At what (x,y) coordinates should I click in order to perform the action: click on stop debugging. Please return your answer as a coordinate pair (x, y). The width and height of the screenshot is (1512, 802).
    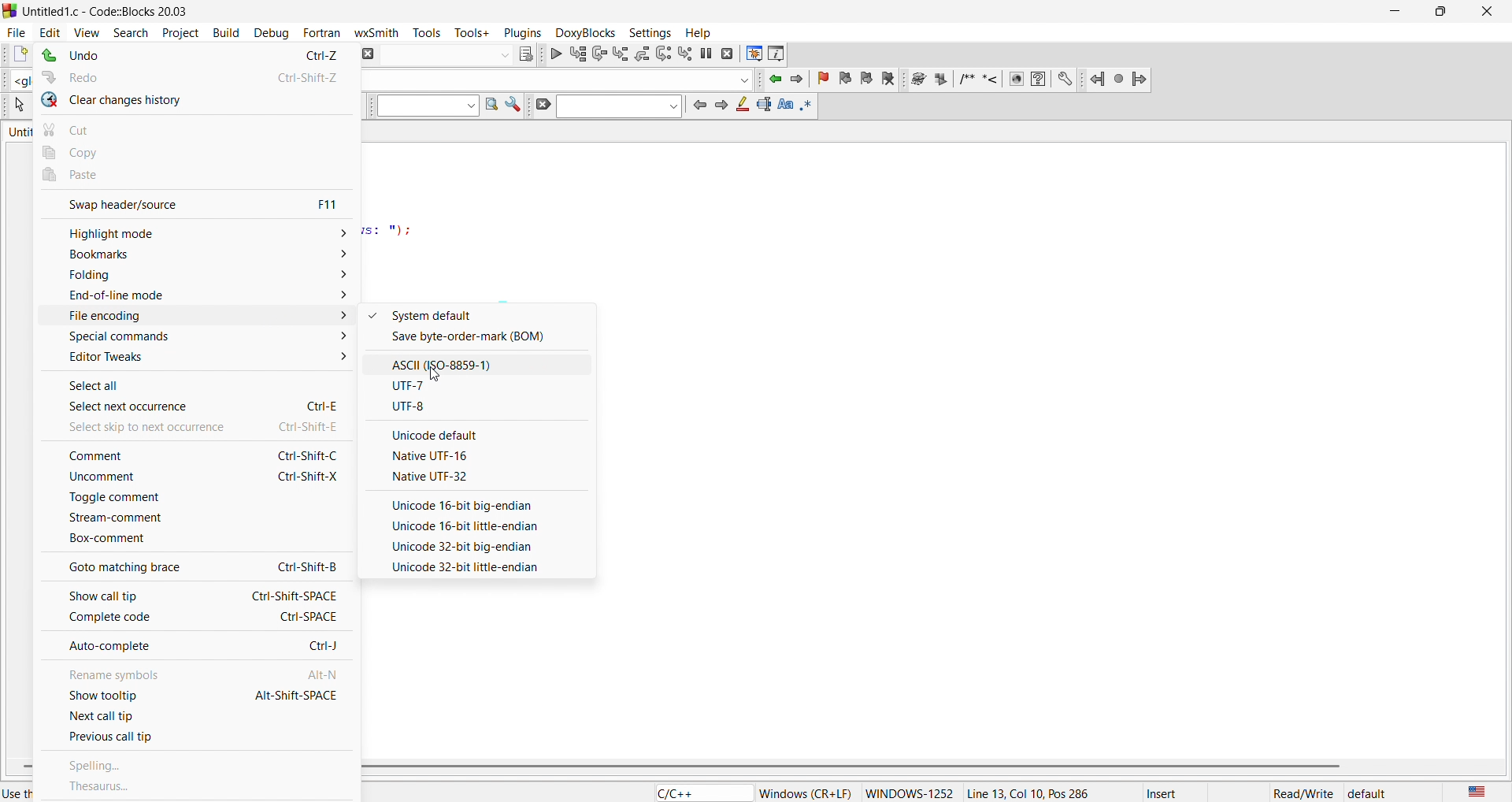
    Looking at the image, I should click on (727, 53).